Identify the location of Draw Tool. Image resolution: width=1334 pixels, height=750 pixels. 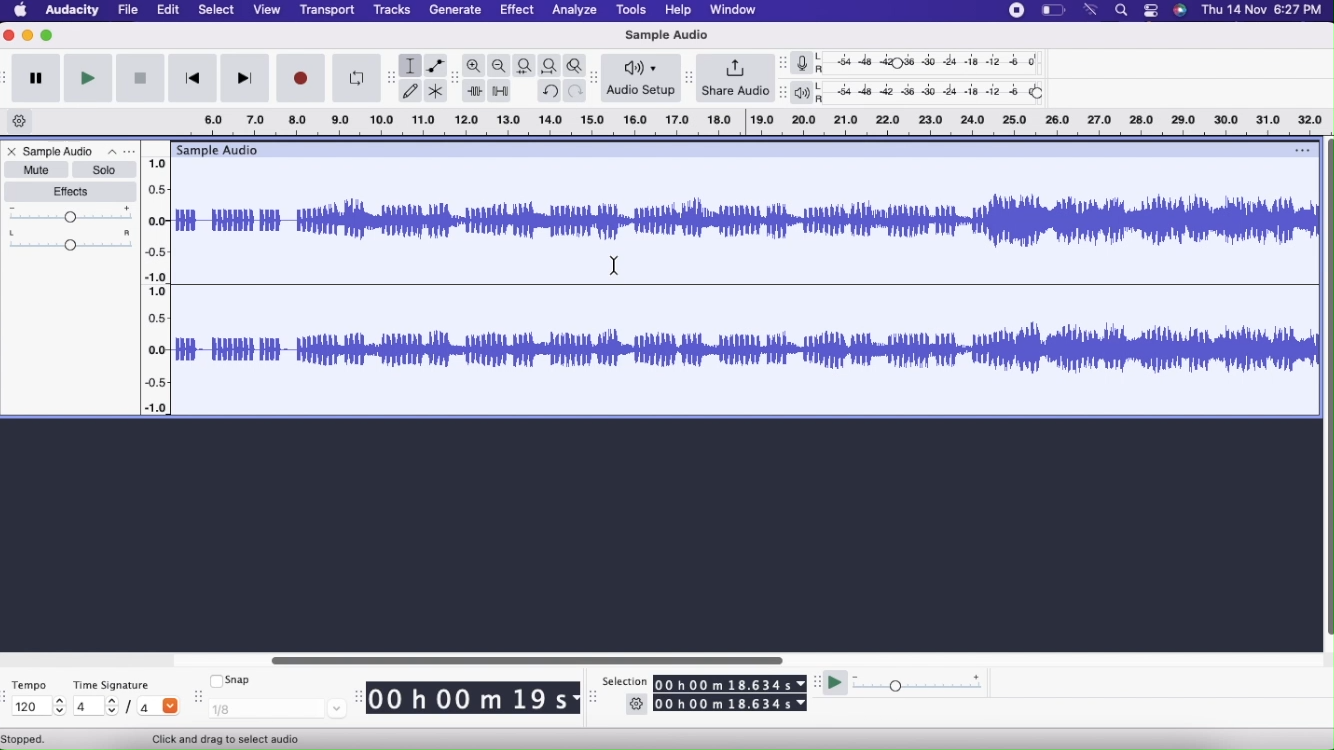
(410, 92).